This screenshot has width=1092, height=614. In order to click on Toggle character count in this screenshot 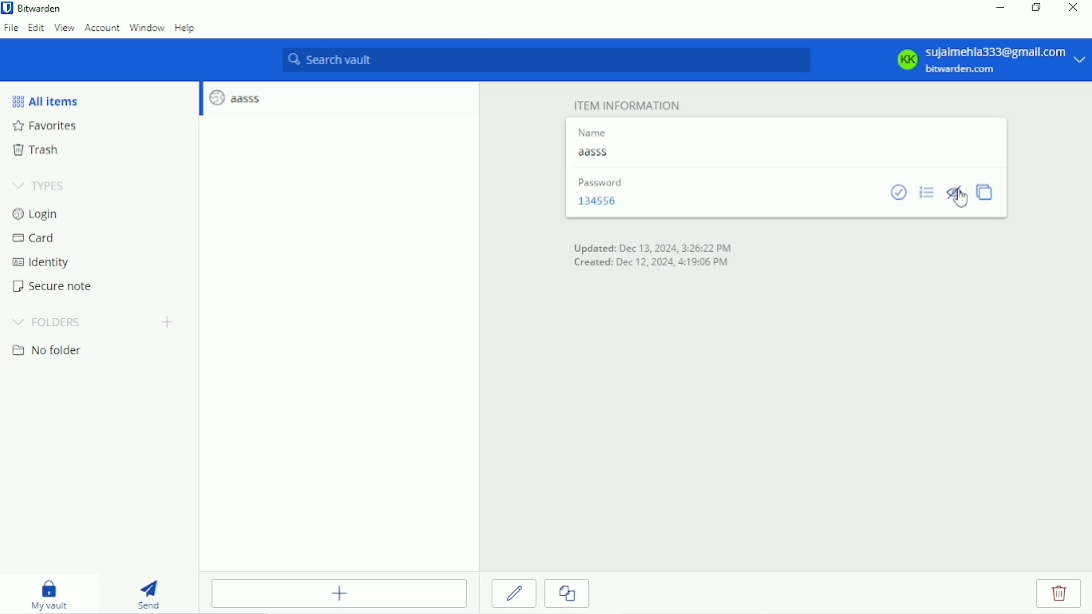, I will do `click(926, 192)`.